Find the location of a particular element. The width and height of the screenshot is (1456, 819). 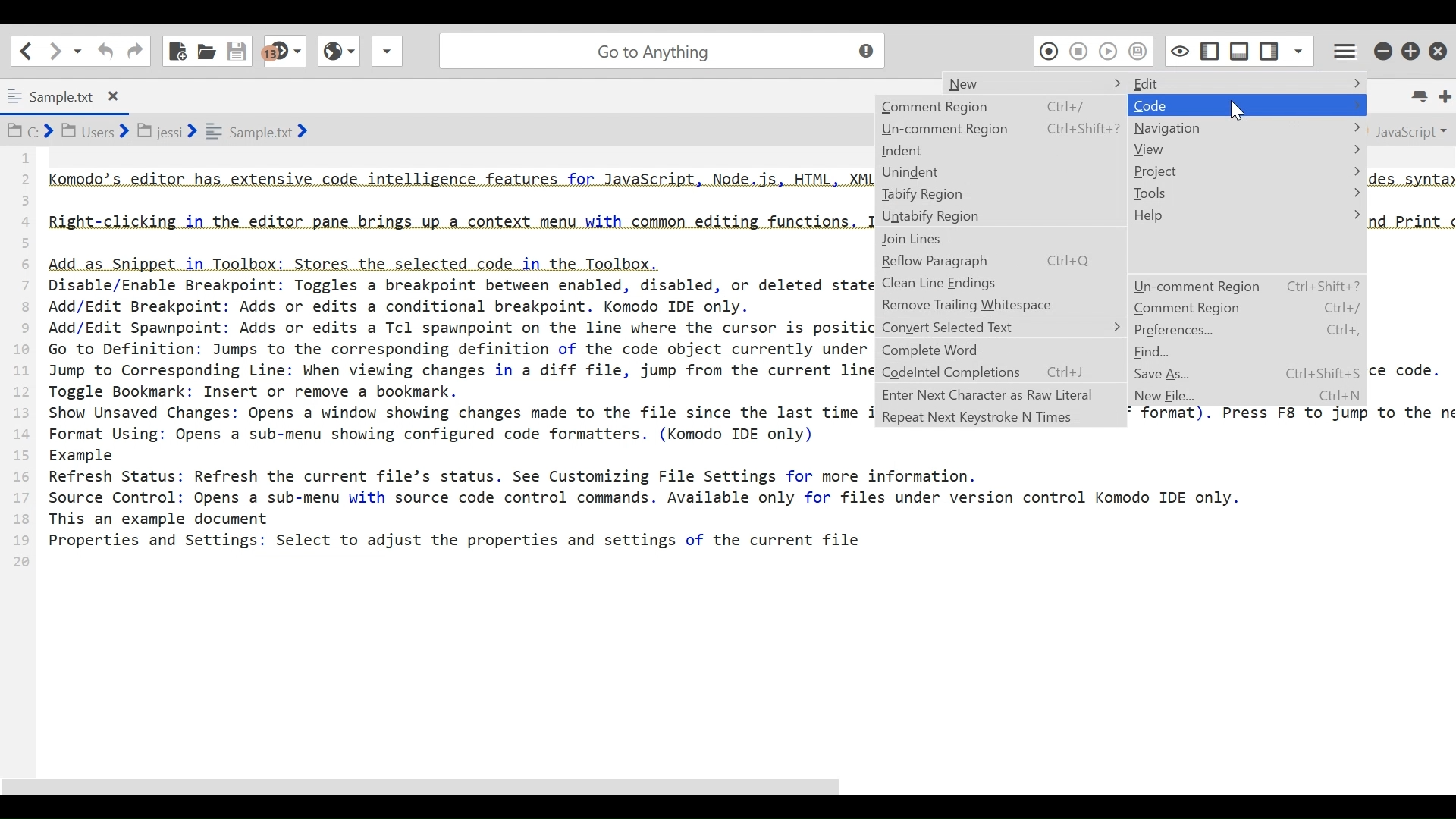

Record Macro is located at coordinates (1048, 50).